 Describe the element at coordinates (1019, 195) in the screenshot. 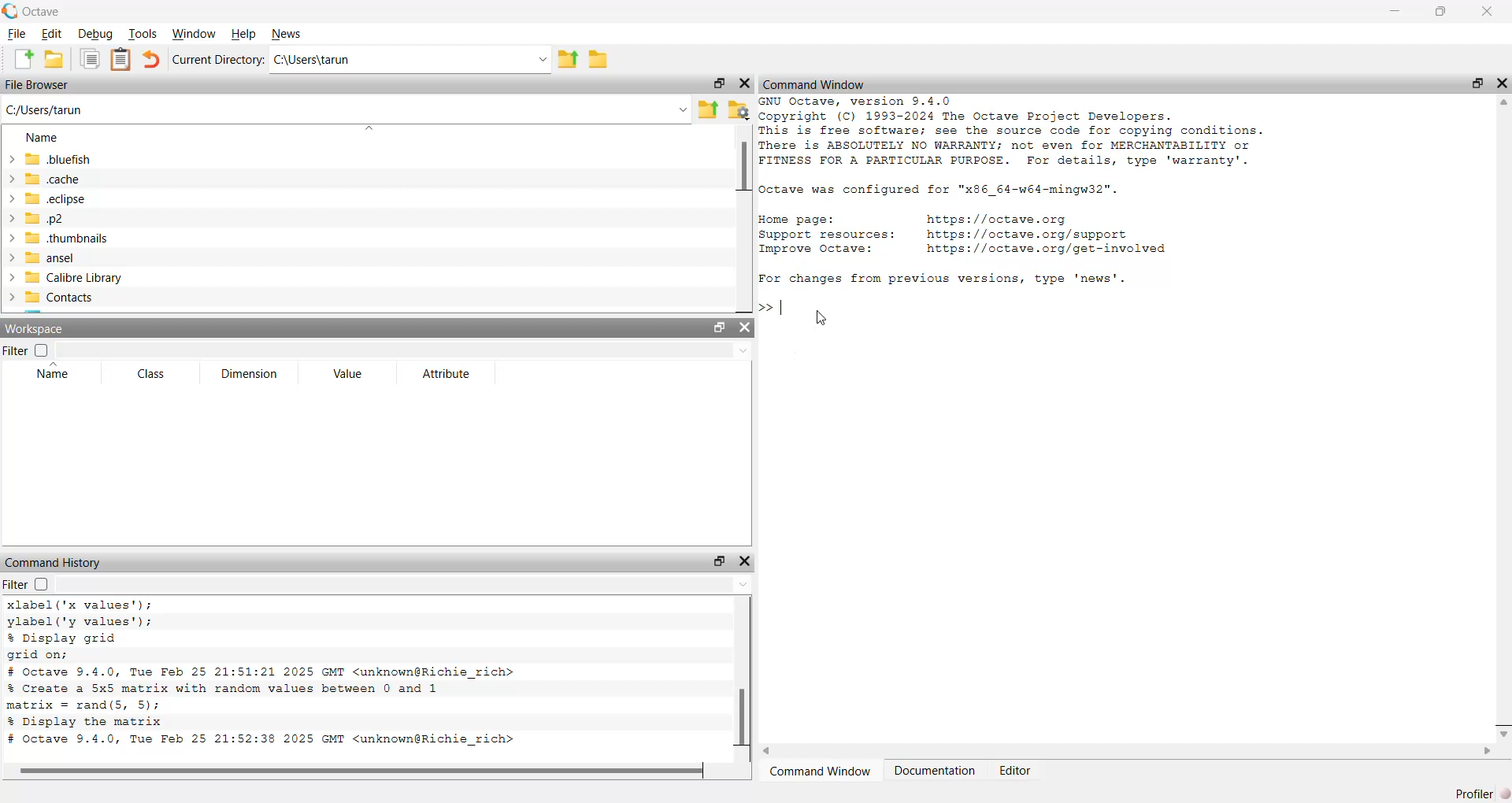

I see `GNU Octave, version 9.4.0

Copyright (C) 1993-2024 The Octave Project Developers.

This is free software; see the source code for copying conditions.
There is ABSOLUTELY NO WARRANTY; not even for MERCHANTABILITY or
FITNESS FOR A PARTICULAR PURPOSE. For details, type 'warranty'.
Octave was configured for "x86_64-w64-mingw32".

Home page: https: //octave.org

Support resources: https: //octave.org/support

Improve Octave: https: //octave.org/get-involved

For changes from previous versions, type 'news'.` at that location.